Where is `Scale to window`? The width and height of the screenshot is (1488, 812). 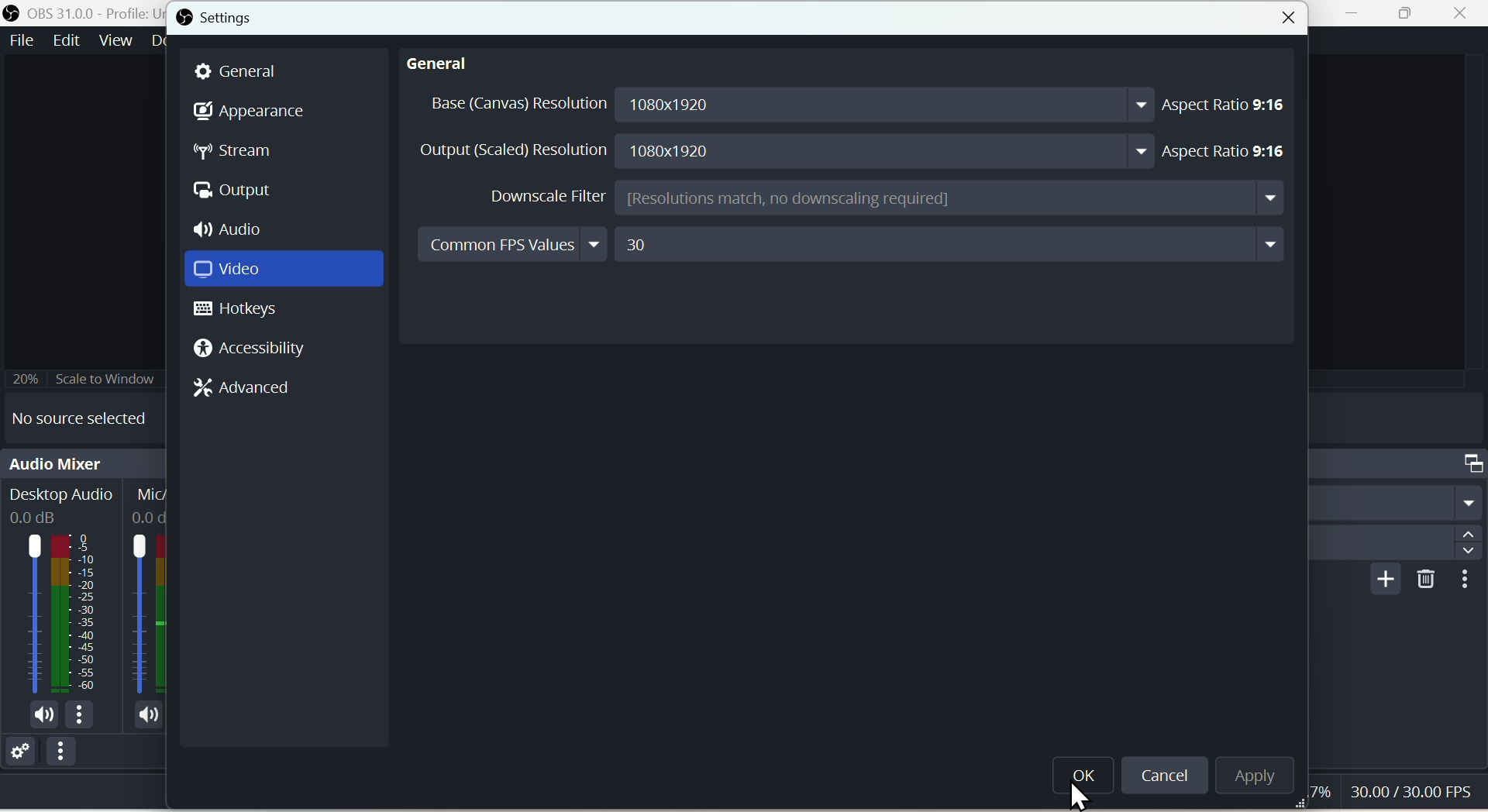 Scale to window is located at coordinates (88, 377).